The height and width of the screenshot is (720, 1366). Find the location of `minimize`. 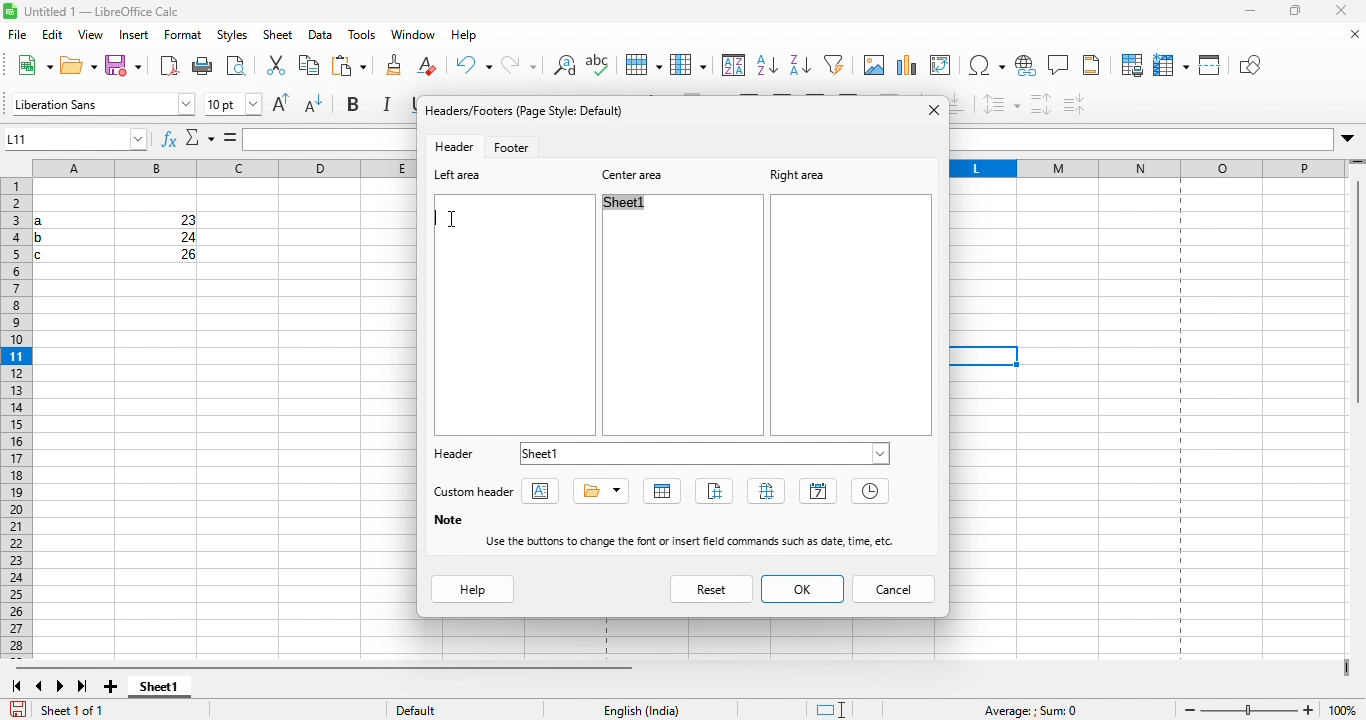

minimize is located at coordinates (1252, 13).